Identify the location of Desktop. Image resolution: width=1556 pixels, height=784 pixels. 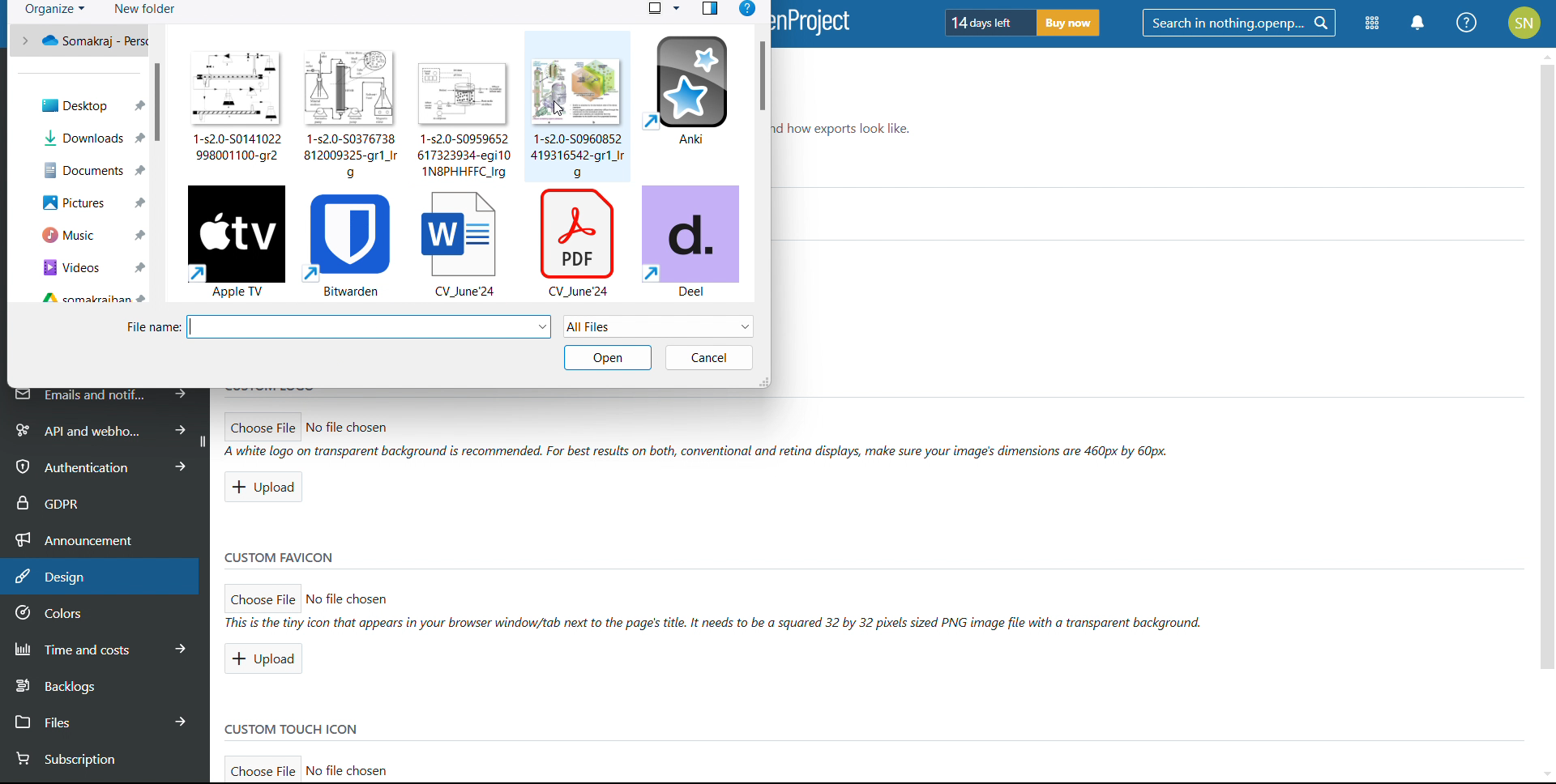
(88, 103).